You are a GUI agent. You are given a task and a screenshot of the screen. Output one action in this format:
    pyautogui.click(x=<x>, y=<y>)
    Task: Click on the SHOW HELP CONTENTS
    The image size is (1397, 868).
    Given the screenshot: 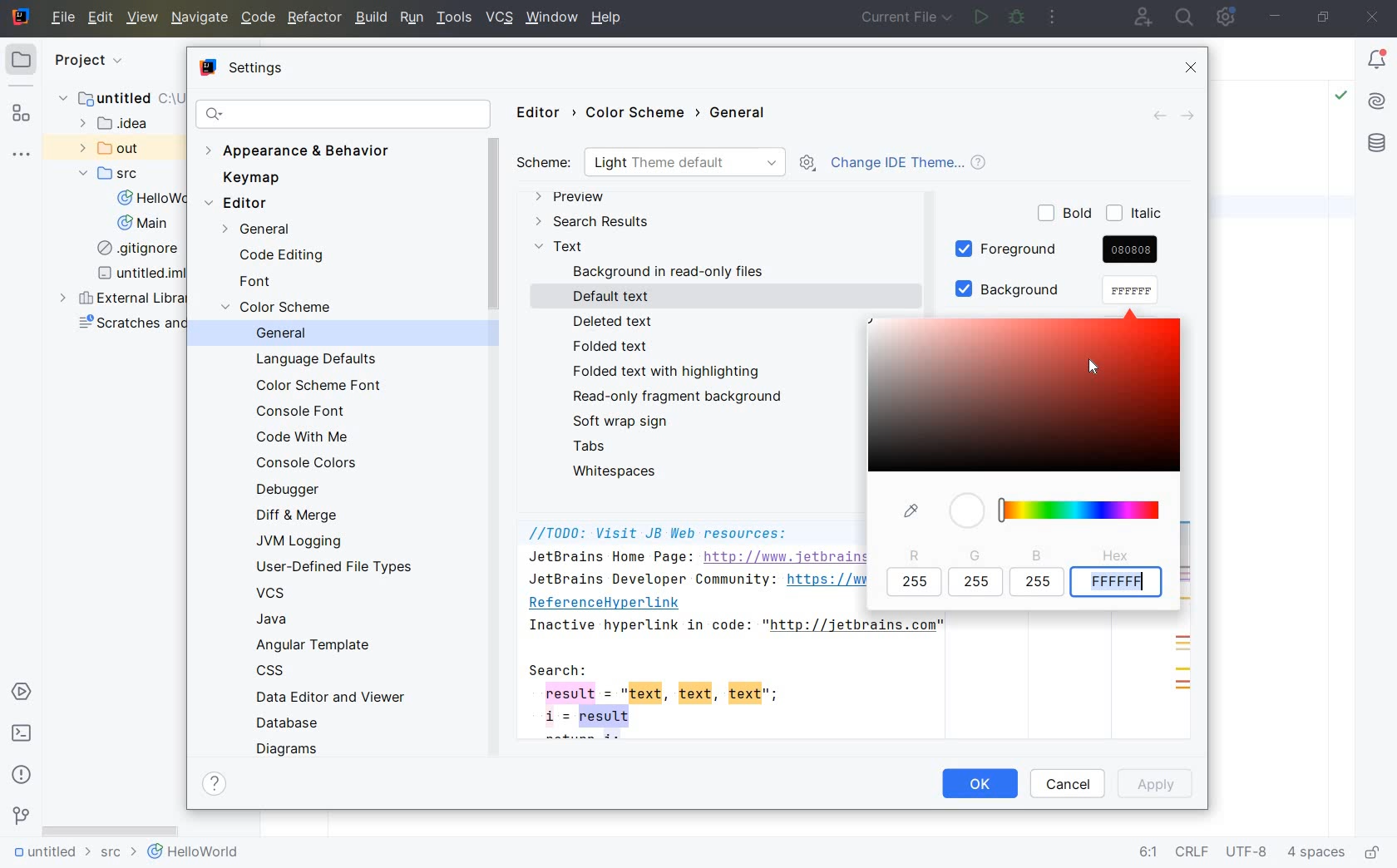 What is the action you would take?
    pyautogui.click(x=217, y=786)
    